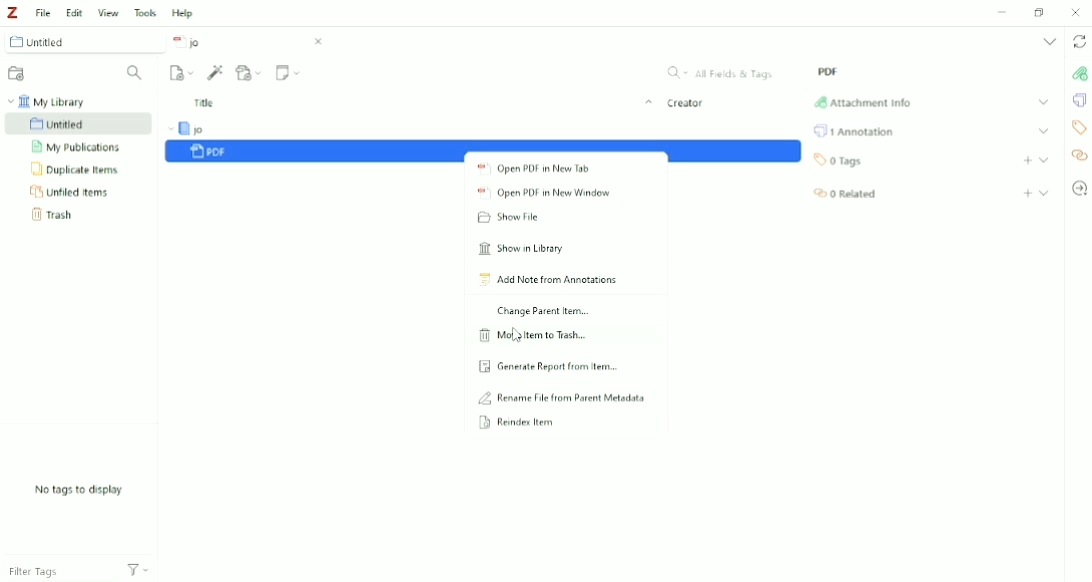  What do you see at coordinates (287, 73) in the screenshot?
I see `New Note` at bounding box center [287, 73].